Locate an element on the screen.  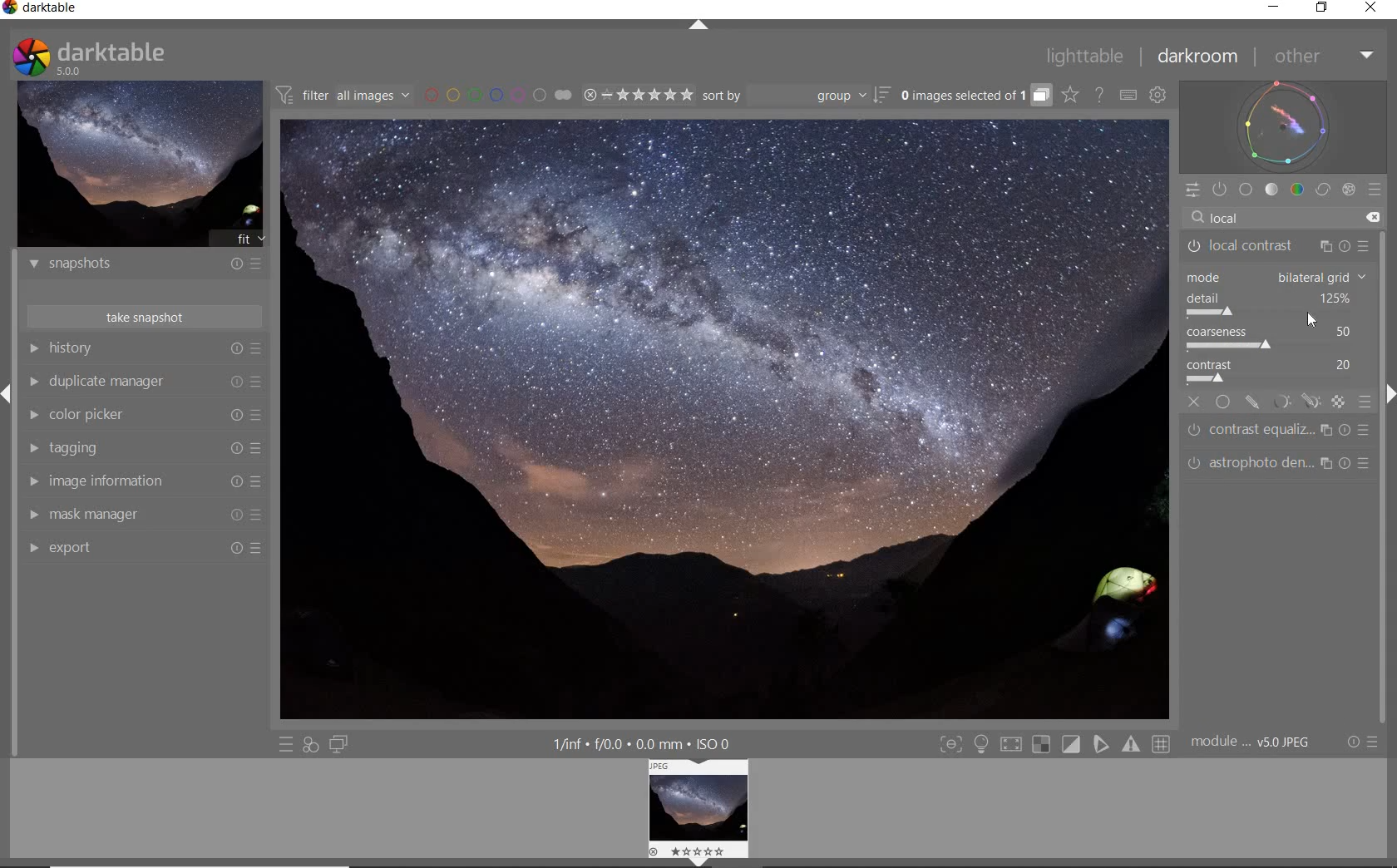
local contrast is located at coordinates (1252, 246).